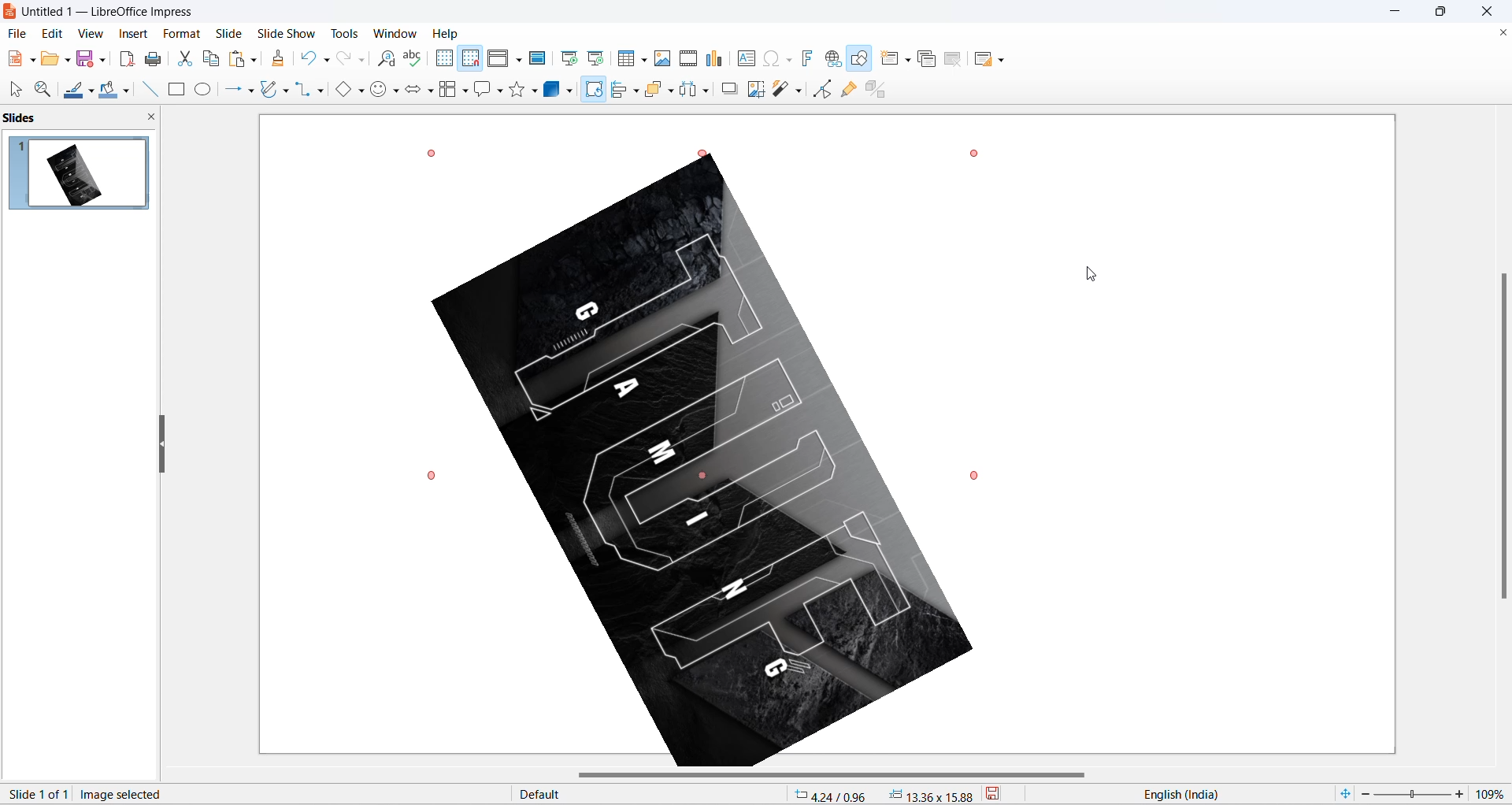 The image size is (1512, 805). What do you see at coordinates (91, 95) in the screenshot?
I see `line color options` at bounding box center [91, 95].